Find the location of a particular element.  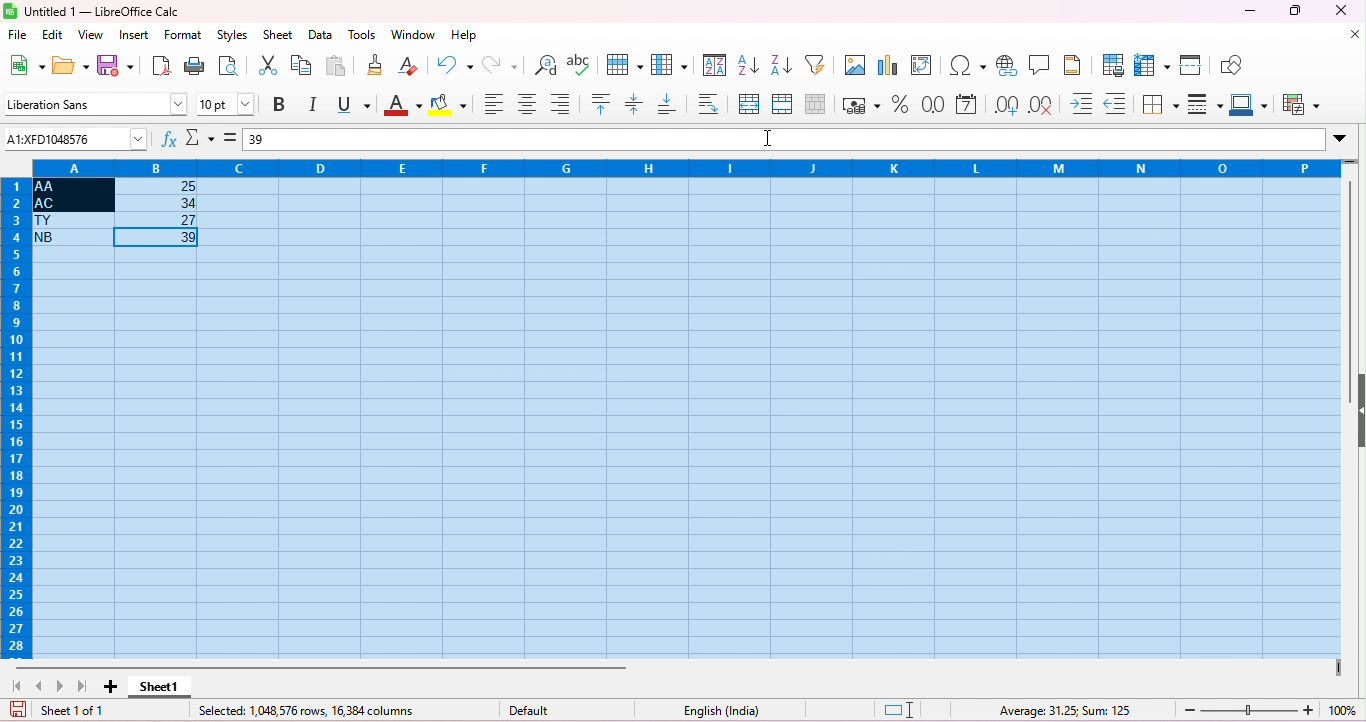

align center is located at coordinates (528, 105).